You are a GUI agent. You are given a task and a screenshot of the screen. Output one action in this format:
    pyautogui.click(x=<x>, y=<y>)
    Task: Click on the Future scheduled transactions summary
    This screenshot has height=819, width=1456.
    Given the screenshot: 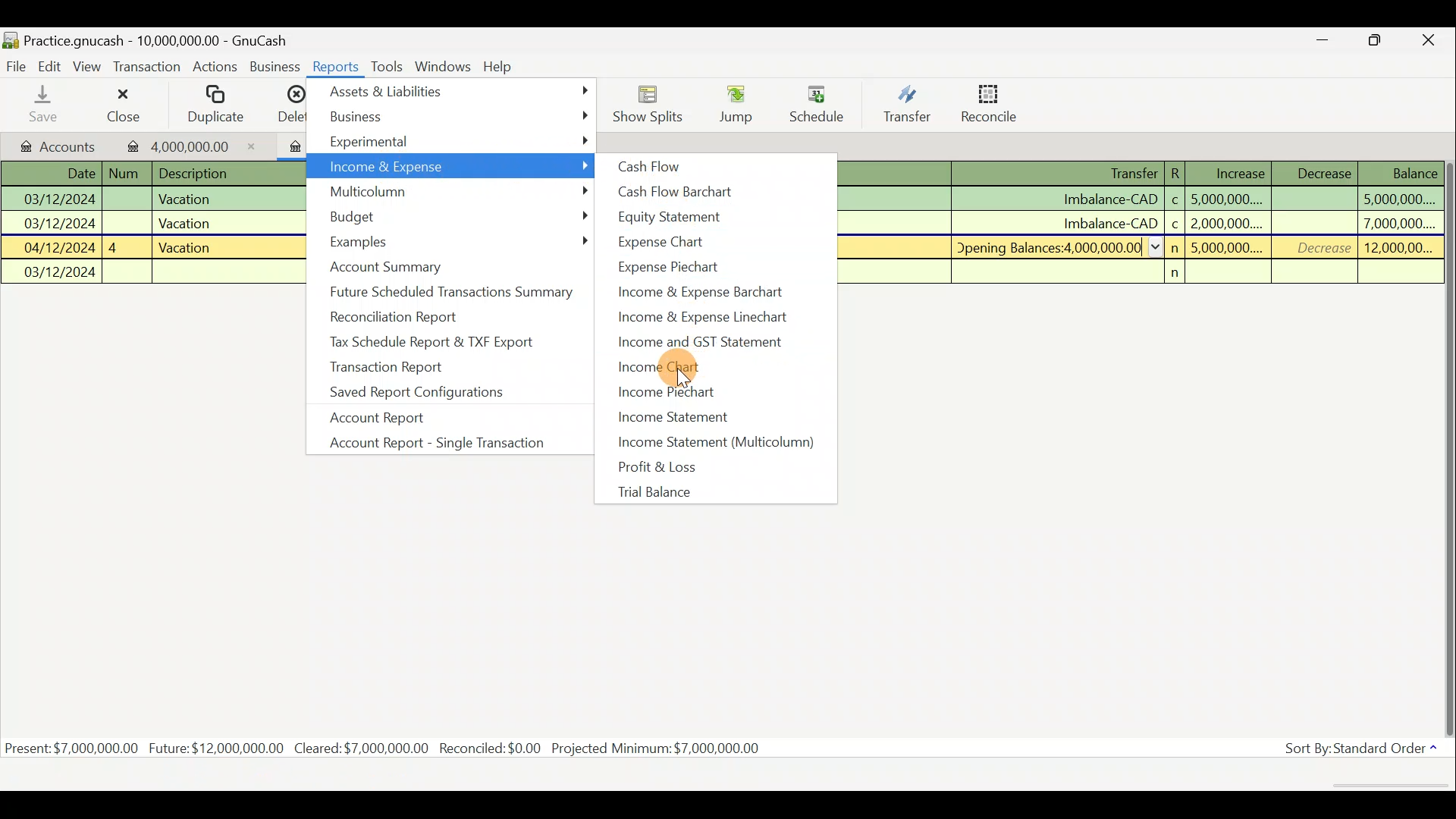 What is the action you would take?
    pyautogui.click(x=453, y=292)
    